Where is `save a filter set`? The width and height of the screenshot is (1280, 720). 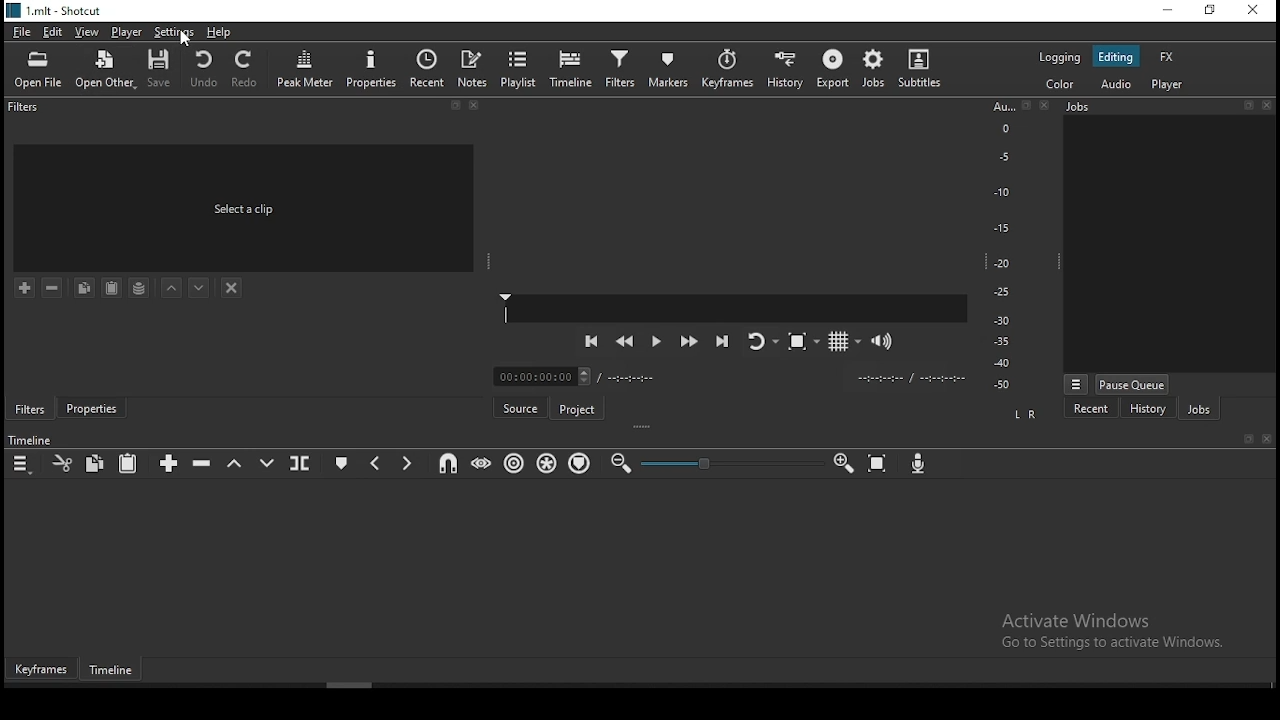
save a filter set is located at coordinates (139, 288).